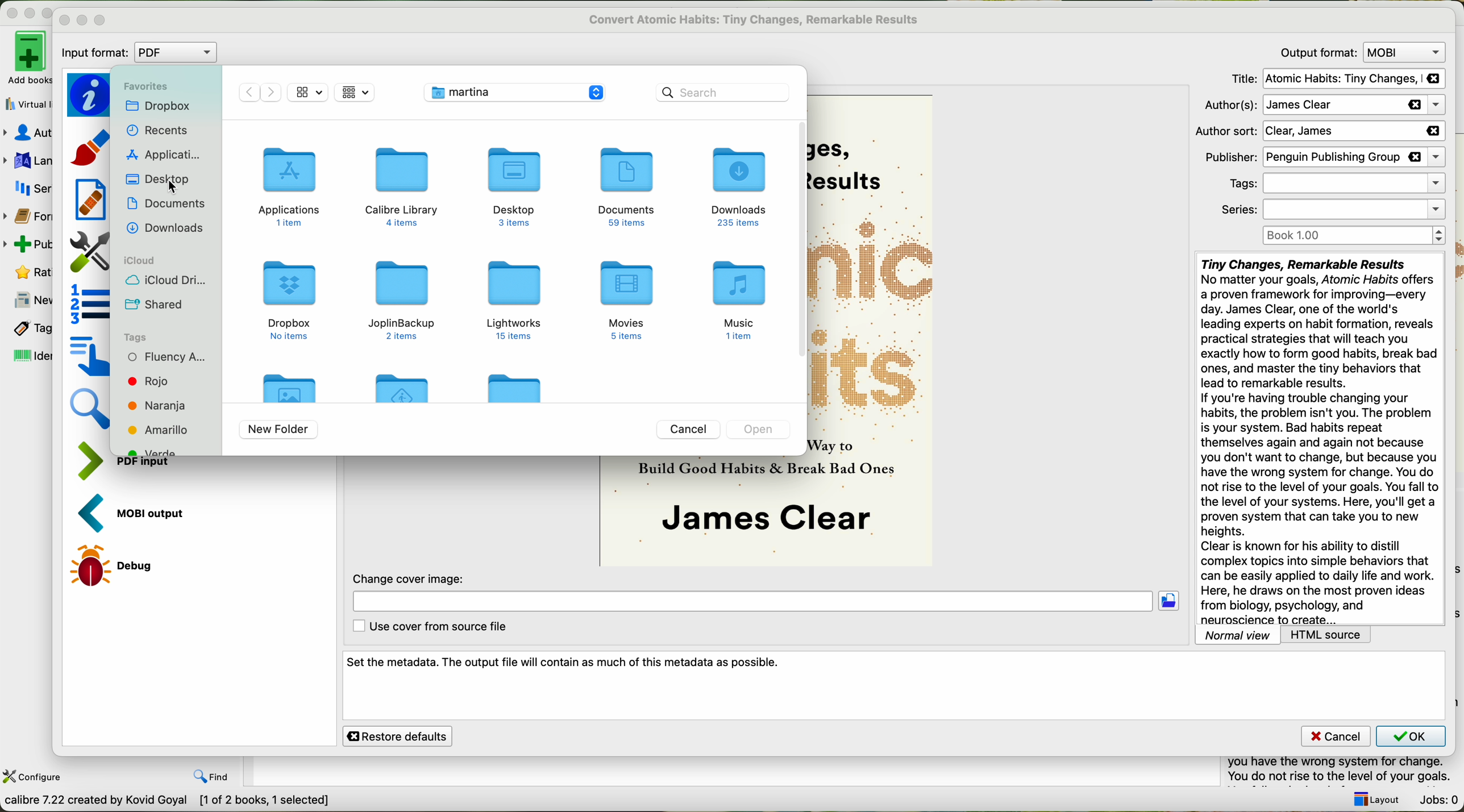 The width and height of the screenshot is (1464, 812). What do you see at coordinates (1410, 735) in the screenshot?
I see `OK` at bounding box center [1410, 735].